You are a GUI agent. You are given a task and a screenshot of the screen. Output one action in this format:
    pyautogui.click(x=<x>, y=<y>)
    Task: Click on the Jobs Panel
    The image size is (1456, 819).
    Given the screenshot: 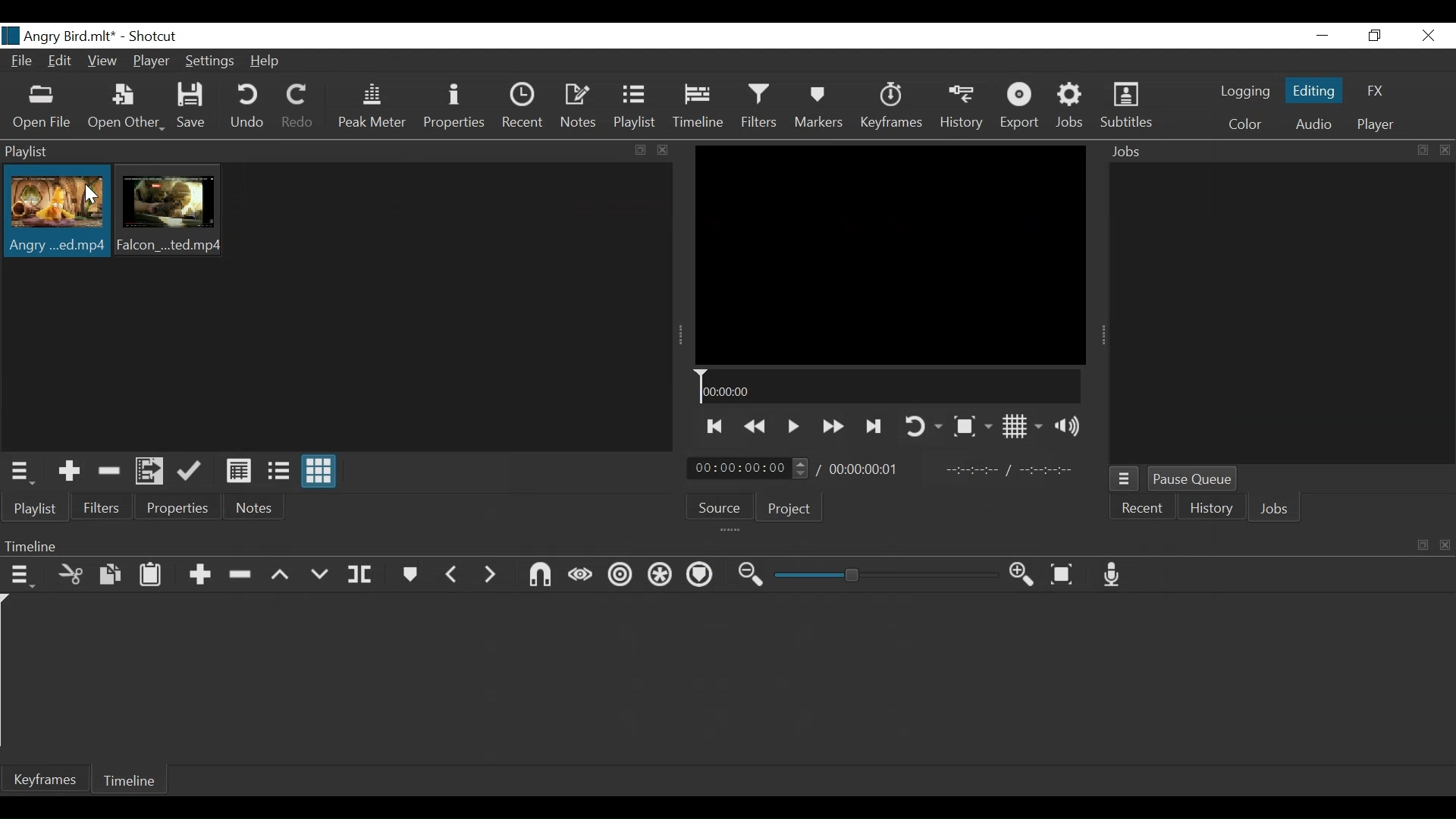 What is the action you would take?
    pyautogui.click(x=1280, y=315)
    